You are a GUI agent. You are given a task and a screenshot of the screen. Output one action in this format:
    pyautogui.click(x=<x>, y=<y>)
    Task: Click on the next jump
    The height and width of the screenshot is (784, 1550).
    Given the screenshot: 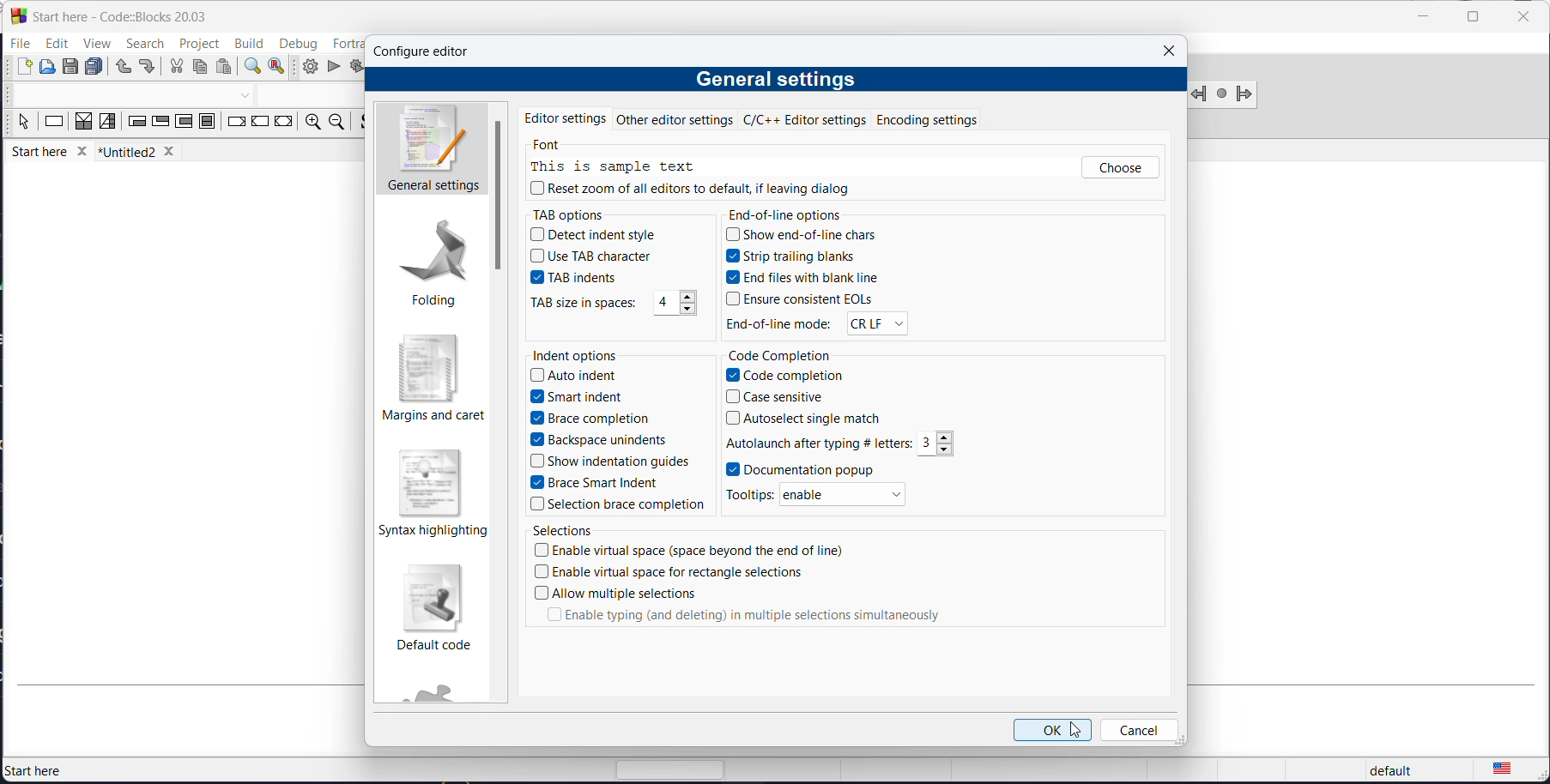 What is the action you would take?
    pyautogui.click(x=1220, y=96)
    